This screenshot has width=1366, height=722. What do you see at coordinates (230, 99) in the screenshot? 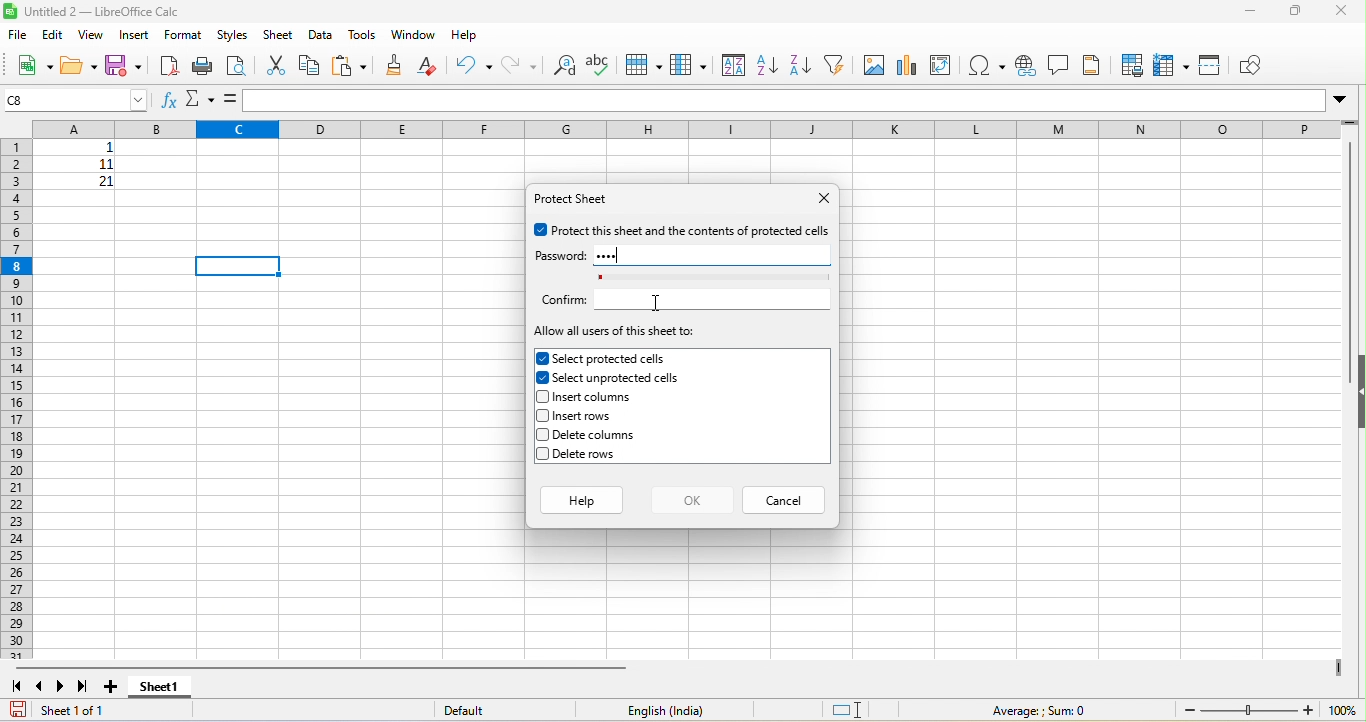
I see `=` at bounding box center [230, 99].